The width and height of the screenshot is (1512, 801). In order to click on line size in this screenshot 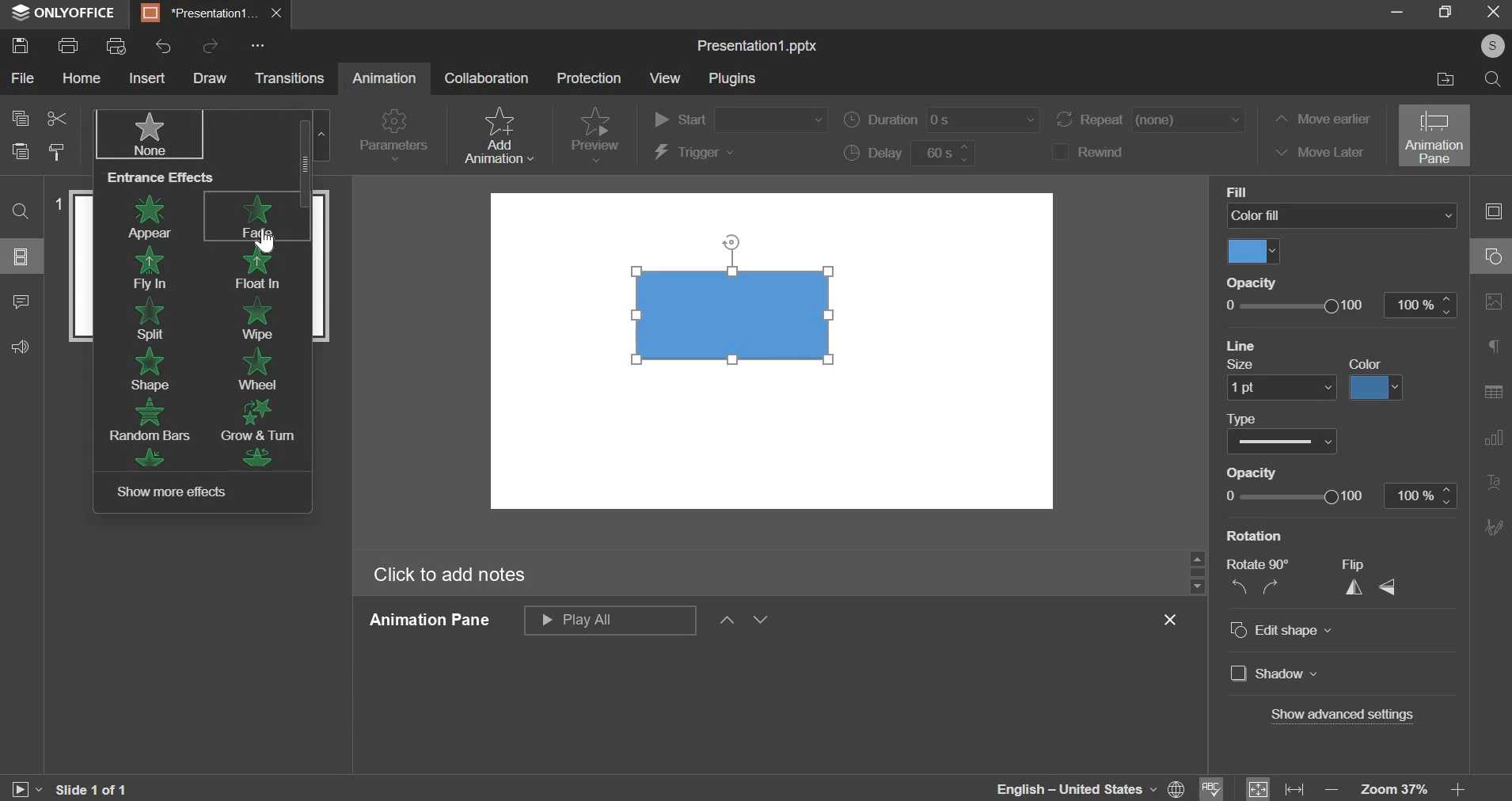, I will do `click(1281, 387)`.